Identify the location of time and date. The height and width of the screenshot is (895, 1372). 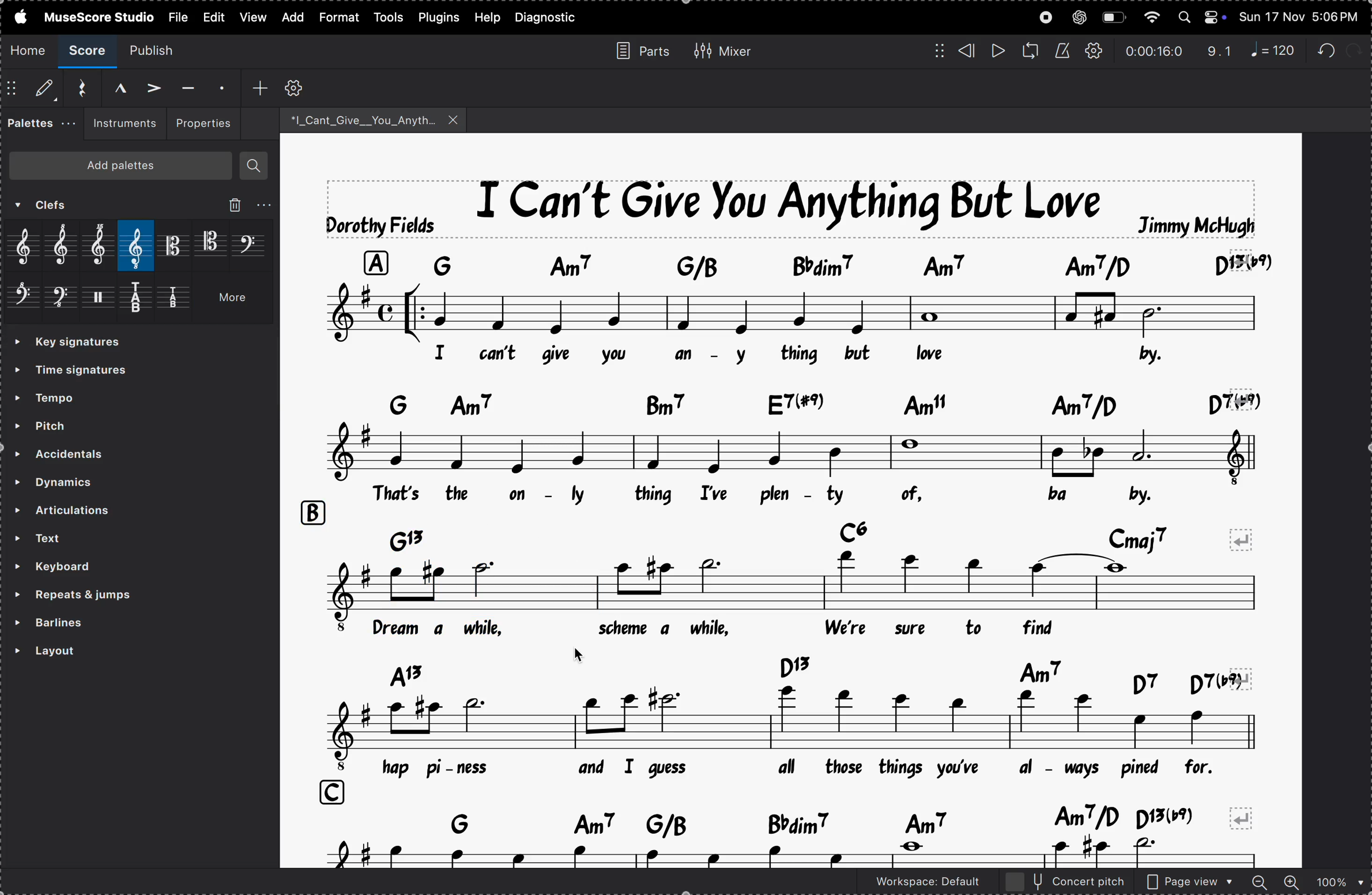
(1301, 14).